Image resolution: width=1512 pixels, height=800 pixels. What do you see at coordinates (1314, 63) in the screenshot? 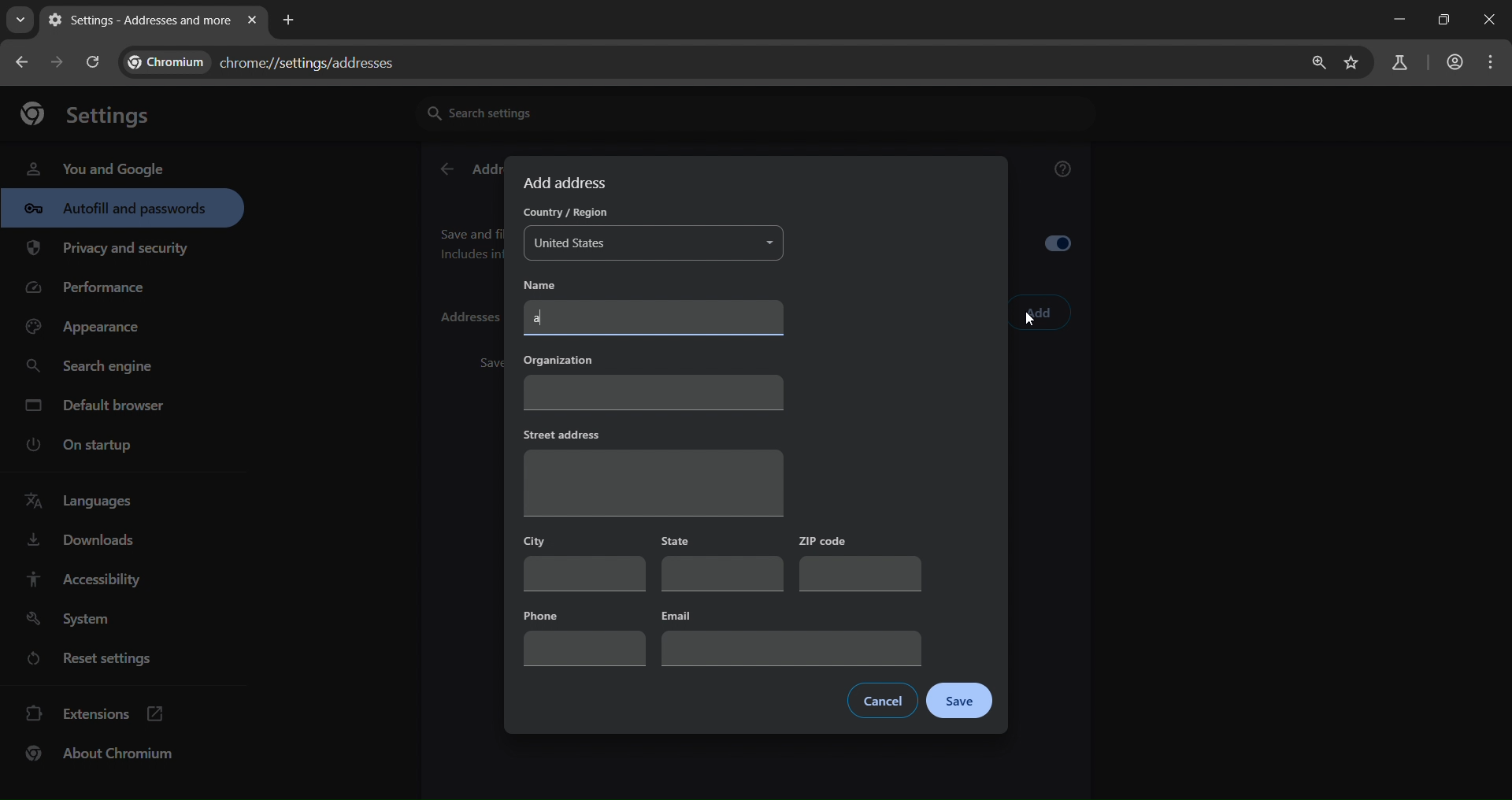
I see `zoom` at bounding box center [1314, 63].